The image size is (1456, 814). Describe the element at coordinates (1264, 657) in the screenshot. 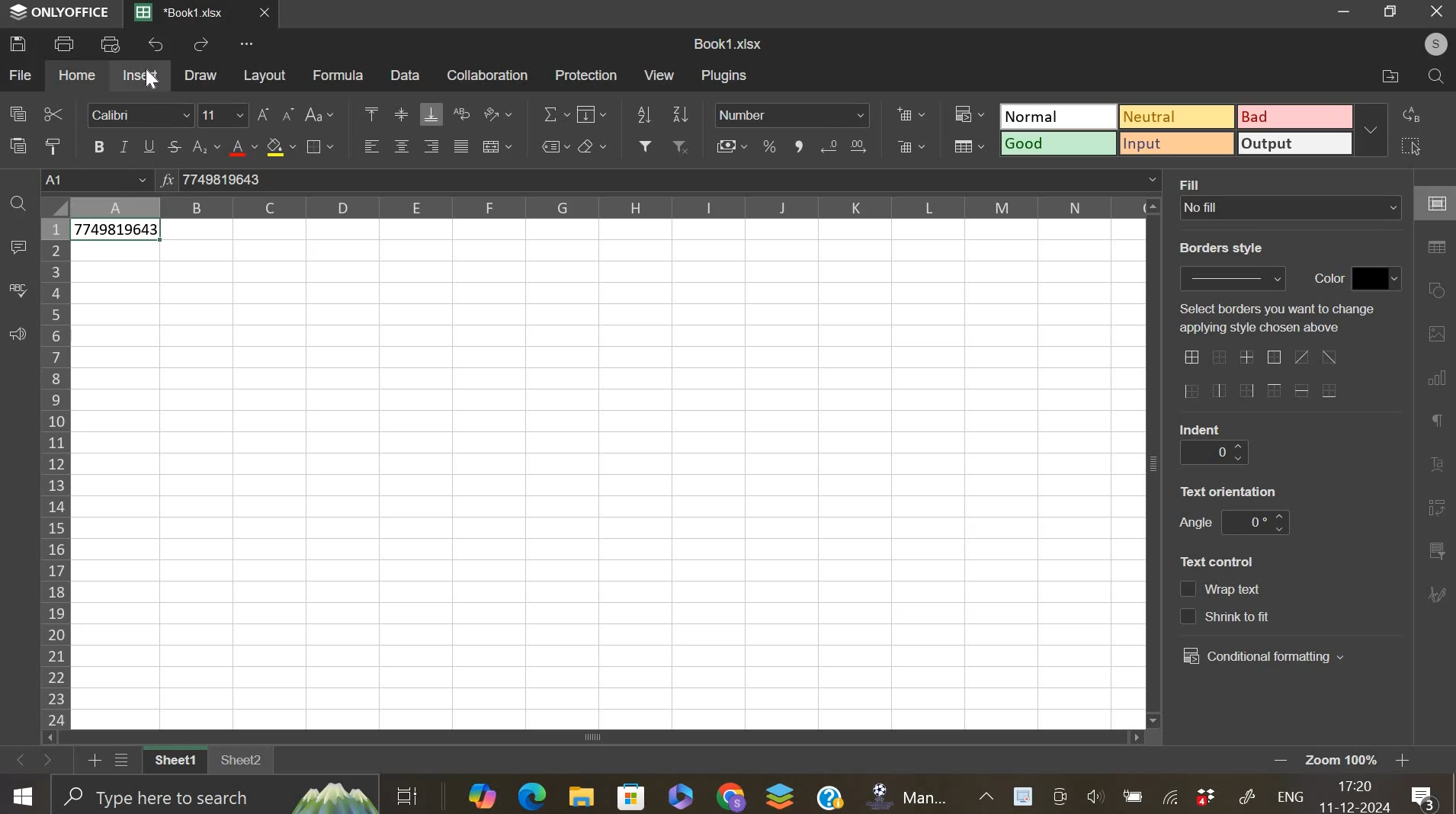

I see `conditional formatting` at that location.